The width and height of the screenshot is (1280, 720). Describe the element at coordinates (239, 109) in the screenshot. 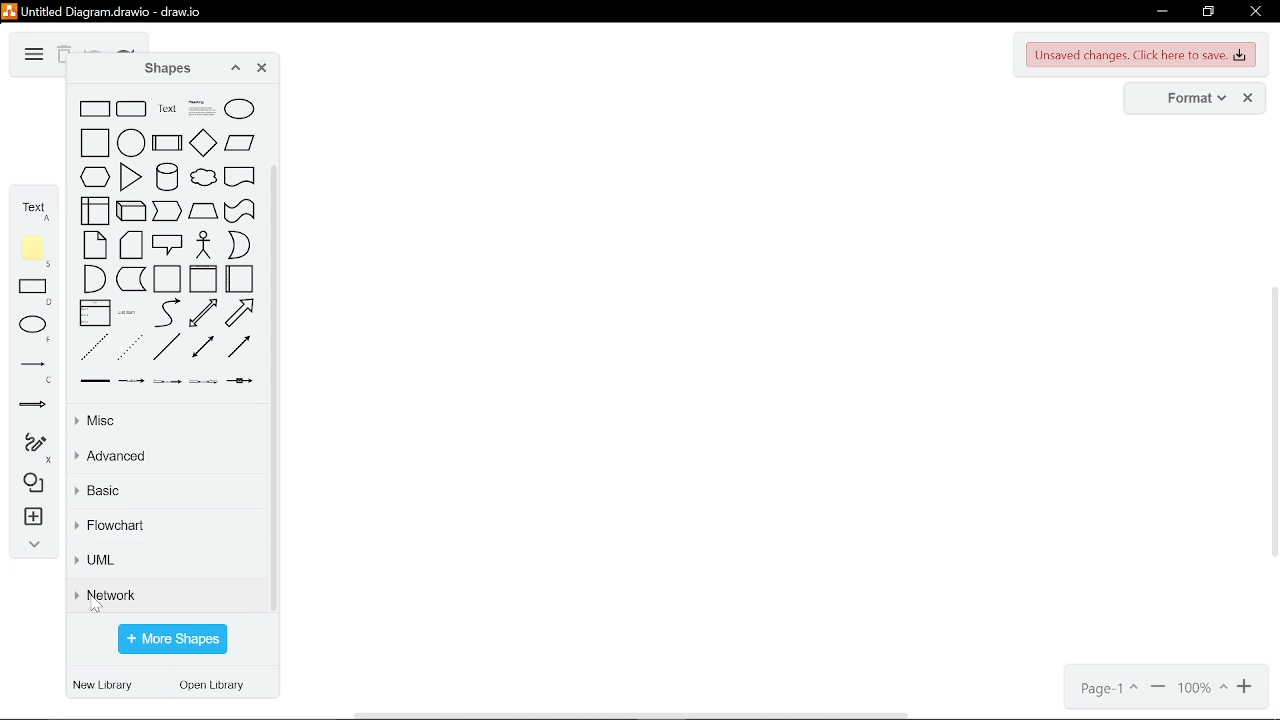

I see `ellipse` at that location.